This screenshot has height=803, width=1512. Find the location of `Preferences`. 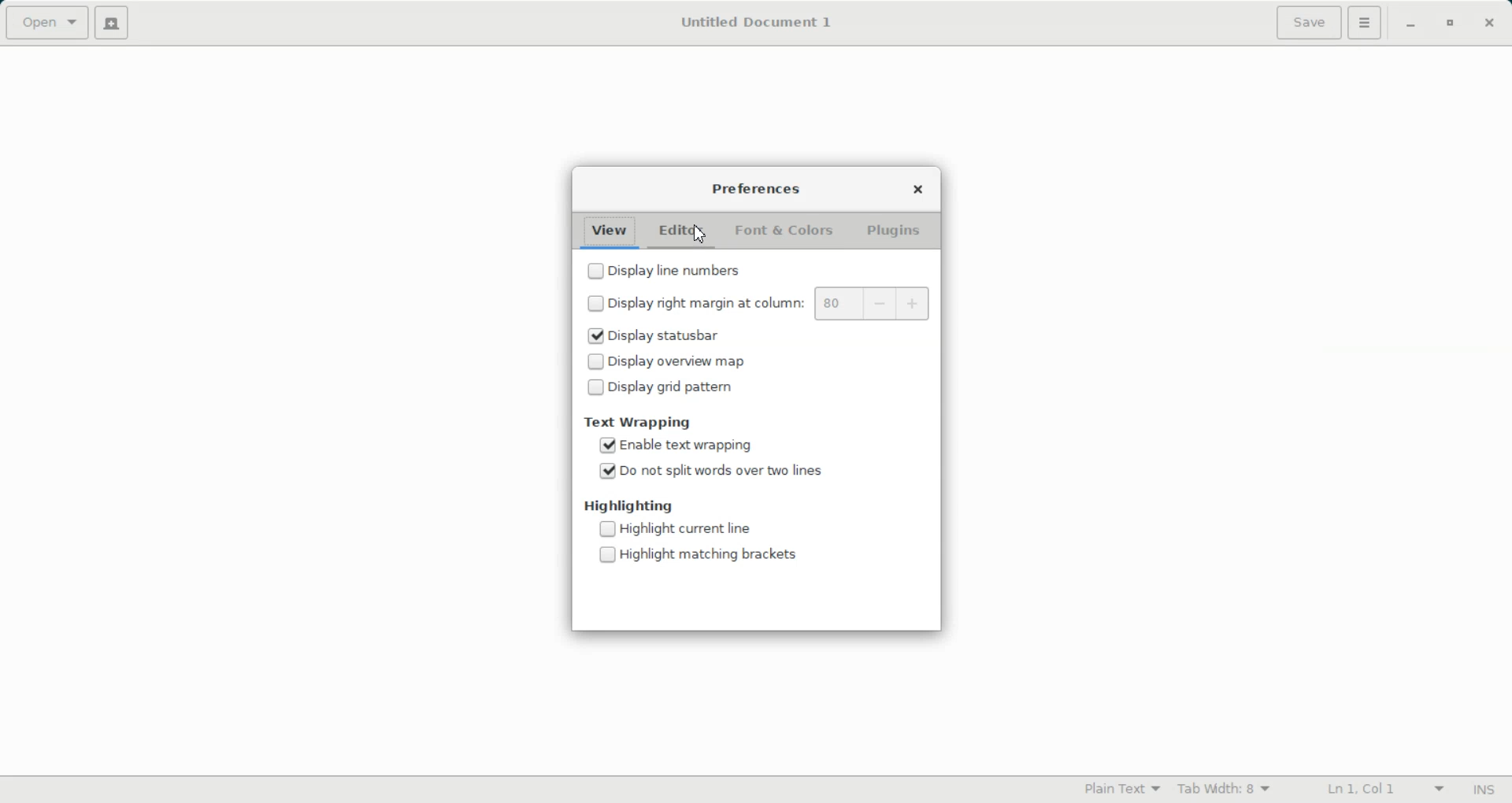

Preferences is located at coordinates (756, 190).